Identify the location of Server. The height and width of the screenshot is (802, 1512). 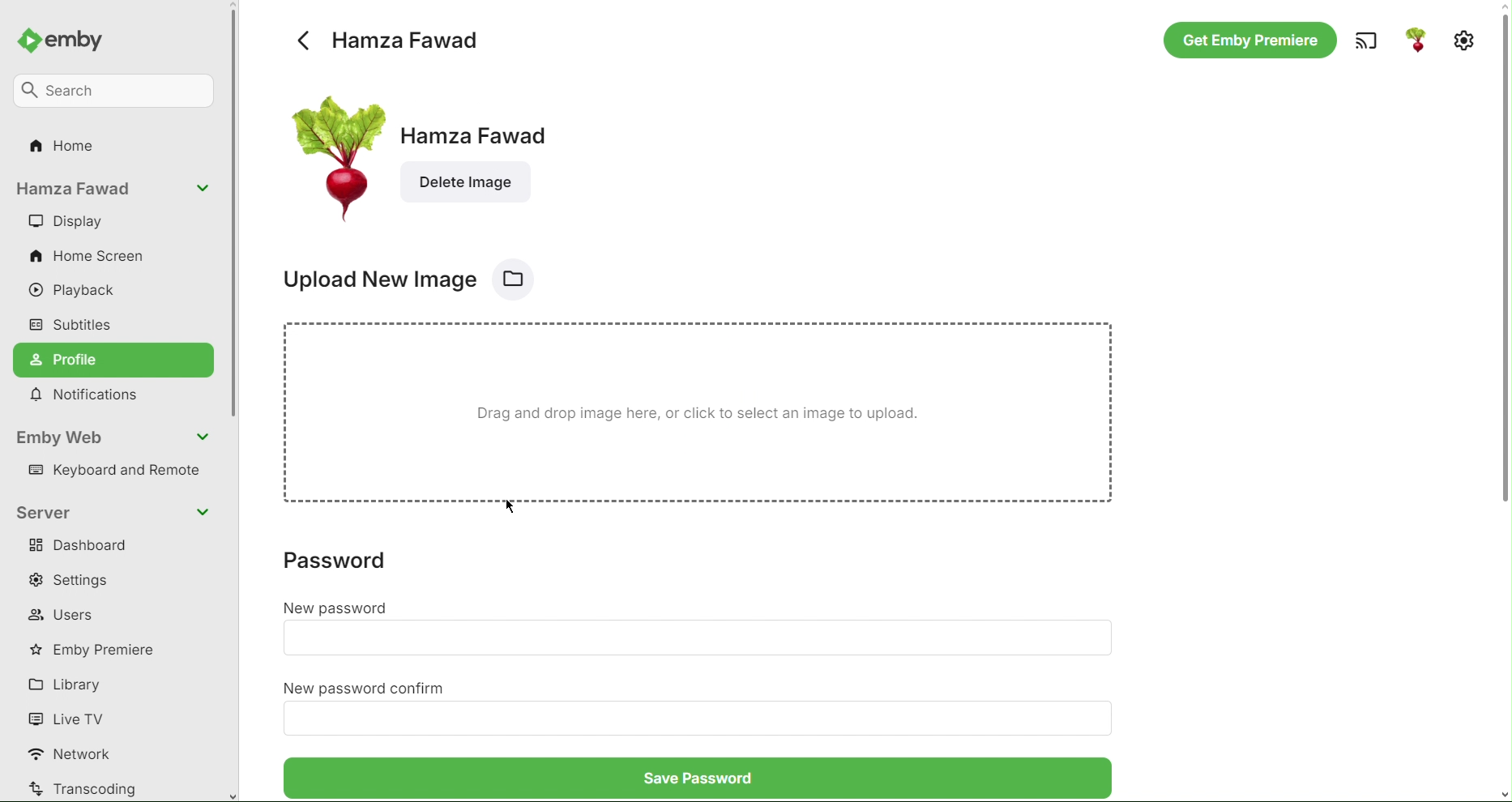
(115, 511).